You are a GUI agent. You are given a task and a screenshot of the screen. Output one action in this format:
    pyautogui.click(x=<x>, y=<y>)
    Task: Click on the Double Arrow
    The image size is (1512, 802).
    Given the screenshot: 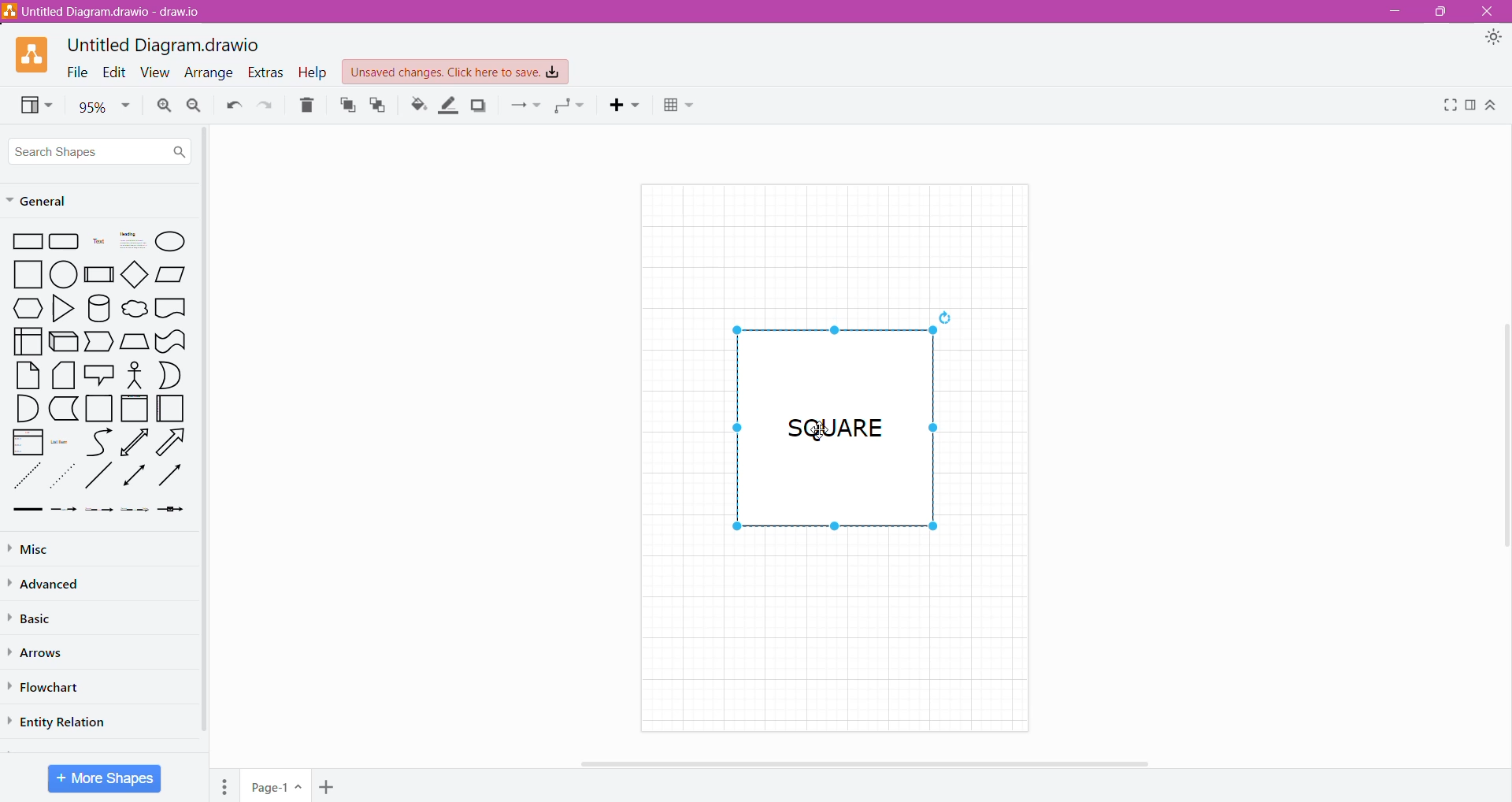 What is the action you would take?
    pyautogui.click(x=132, y=477)
    